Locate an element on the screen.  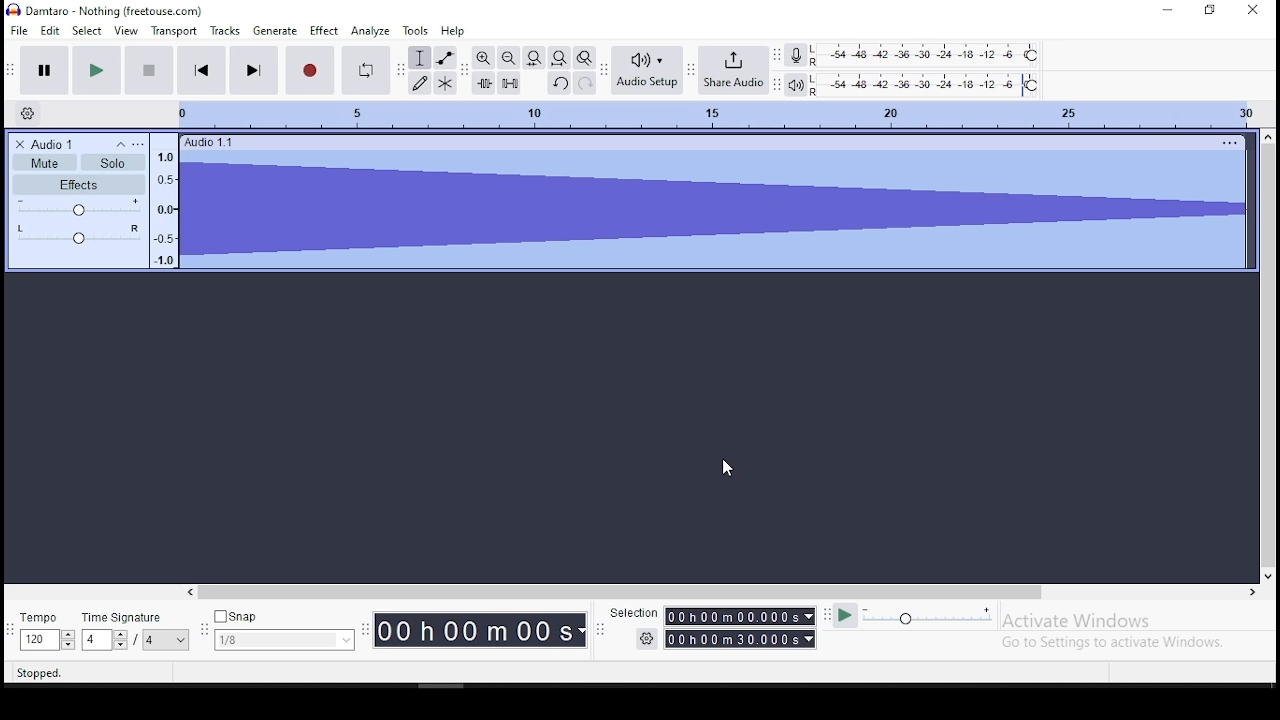
record is located at coordinates (310, 70).